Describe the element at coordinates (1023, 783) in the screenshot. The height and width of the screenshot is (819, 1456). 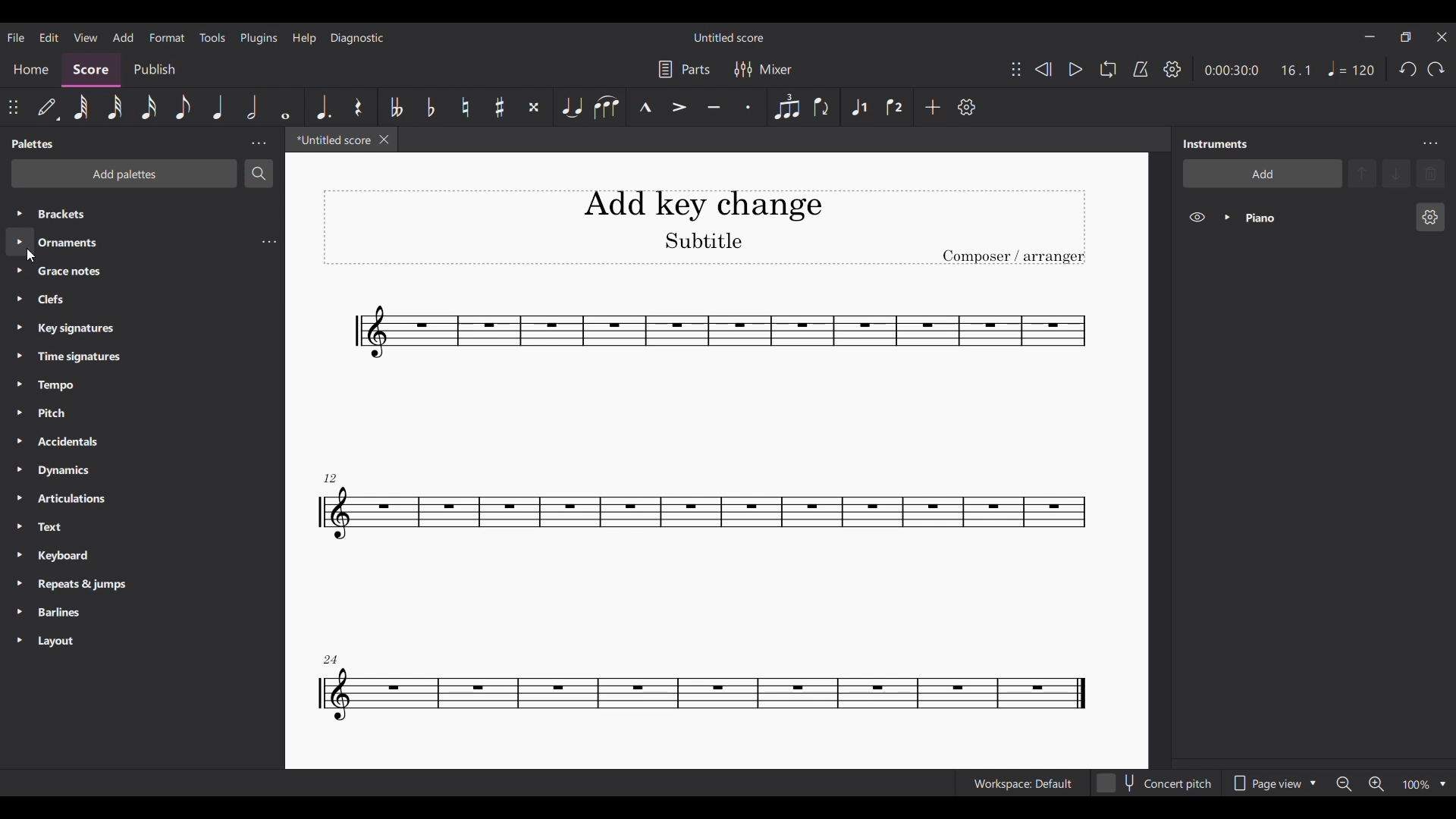
I see `Workspace: default` at that location.